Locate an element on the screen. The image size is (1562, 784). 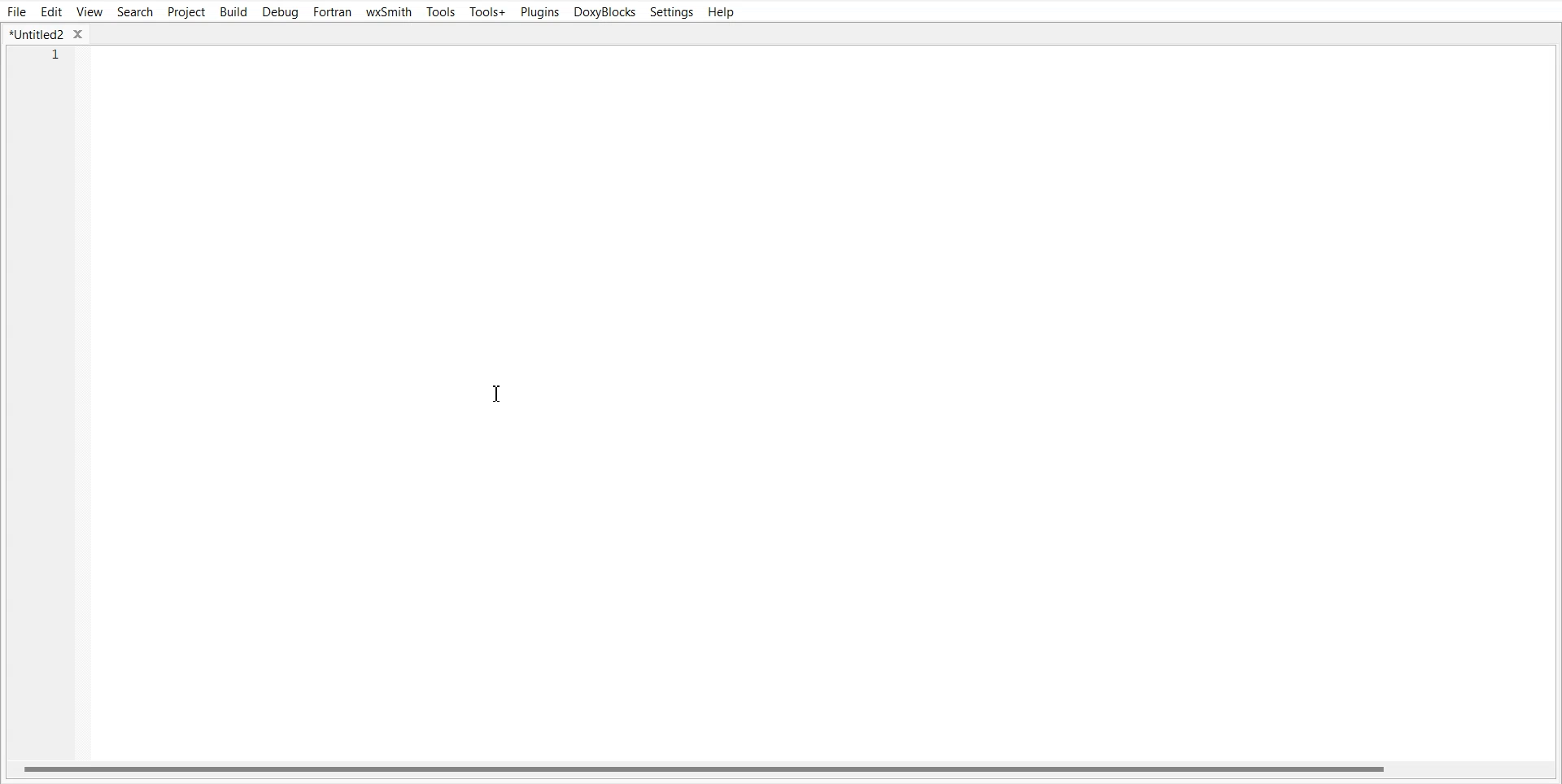
Fortran is located at coordinates (333, 11).